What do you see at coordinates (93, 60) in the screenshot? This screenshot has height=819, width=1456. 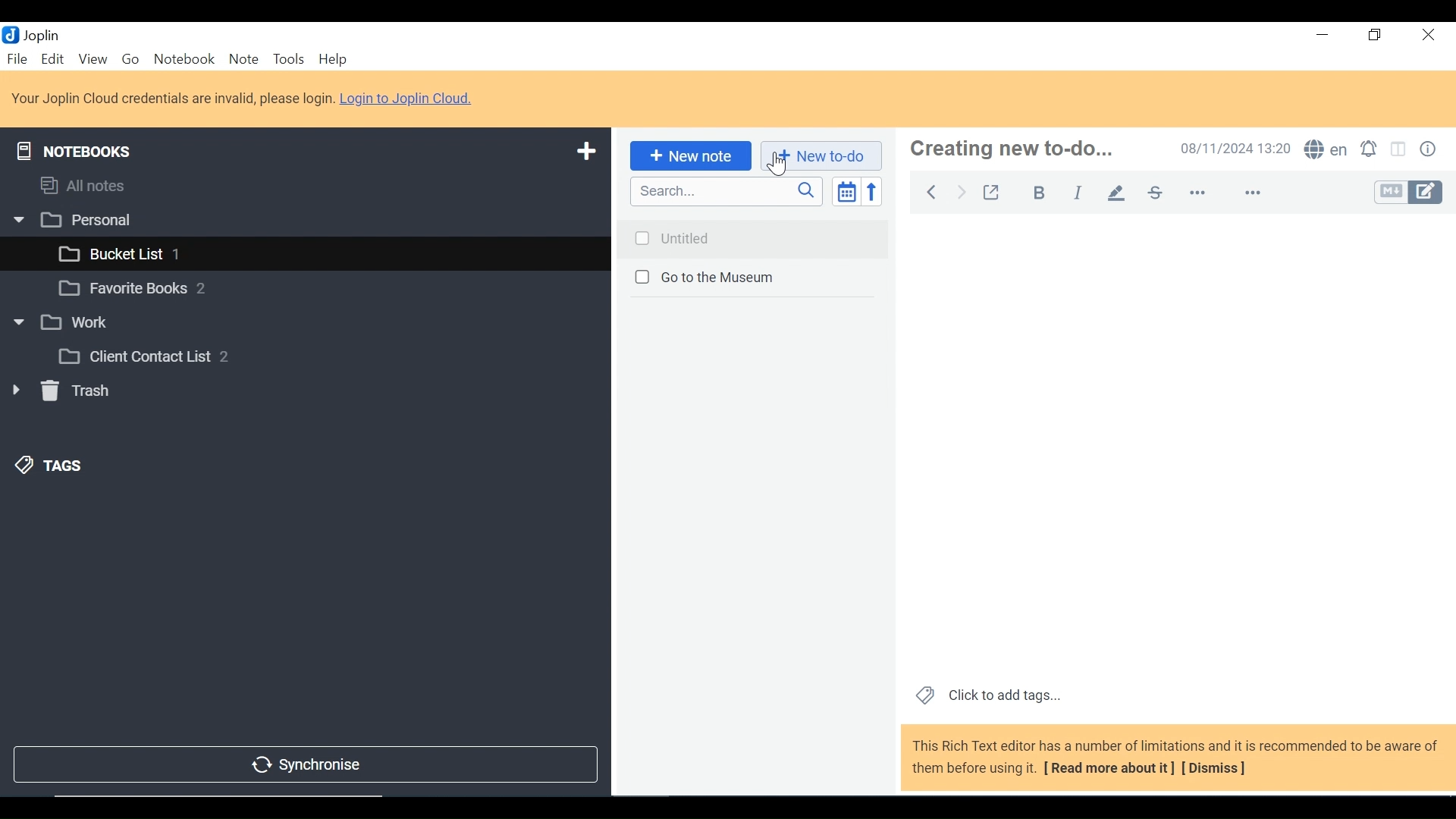 I see `View` at bounding box center [93, 60].